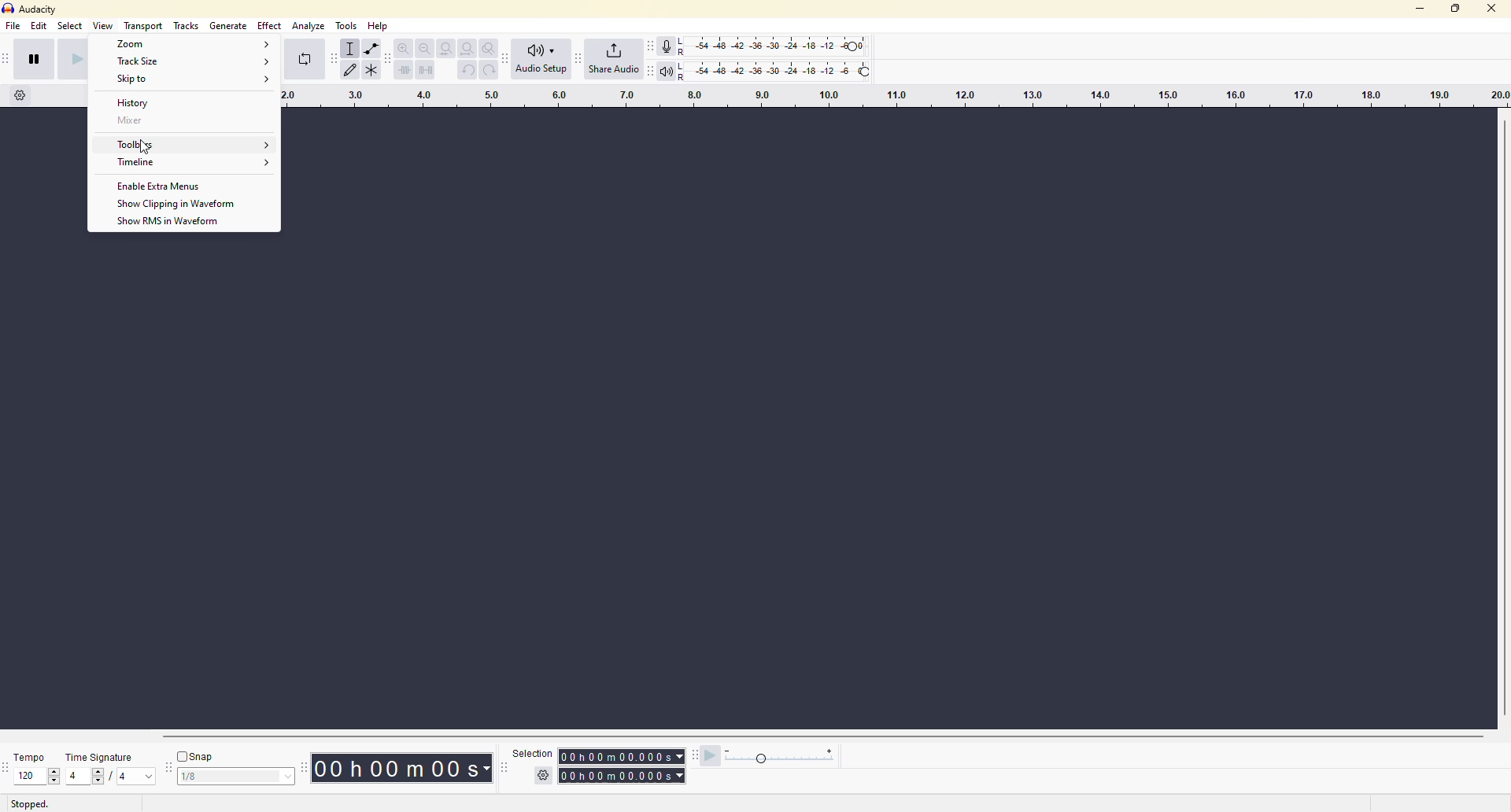 The width and height of the screenshot is (1511, 812). I want to click on Show RMS in Waveform, so click(165, 223).